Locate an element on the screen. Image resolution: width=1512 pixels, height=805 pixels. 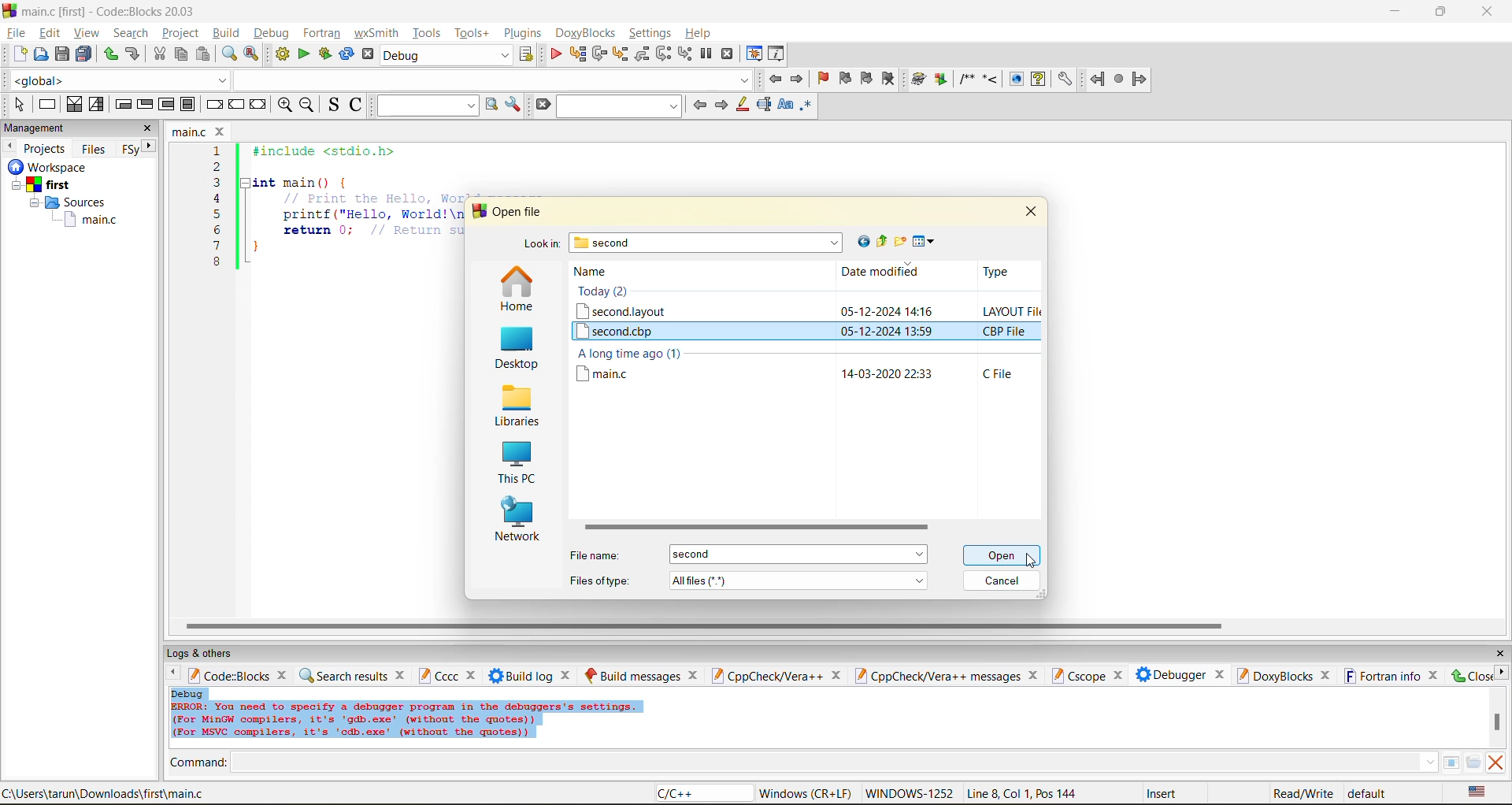
search is located at coordinates (621, 106).